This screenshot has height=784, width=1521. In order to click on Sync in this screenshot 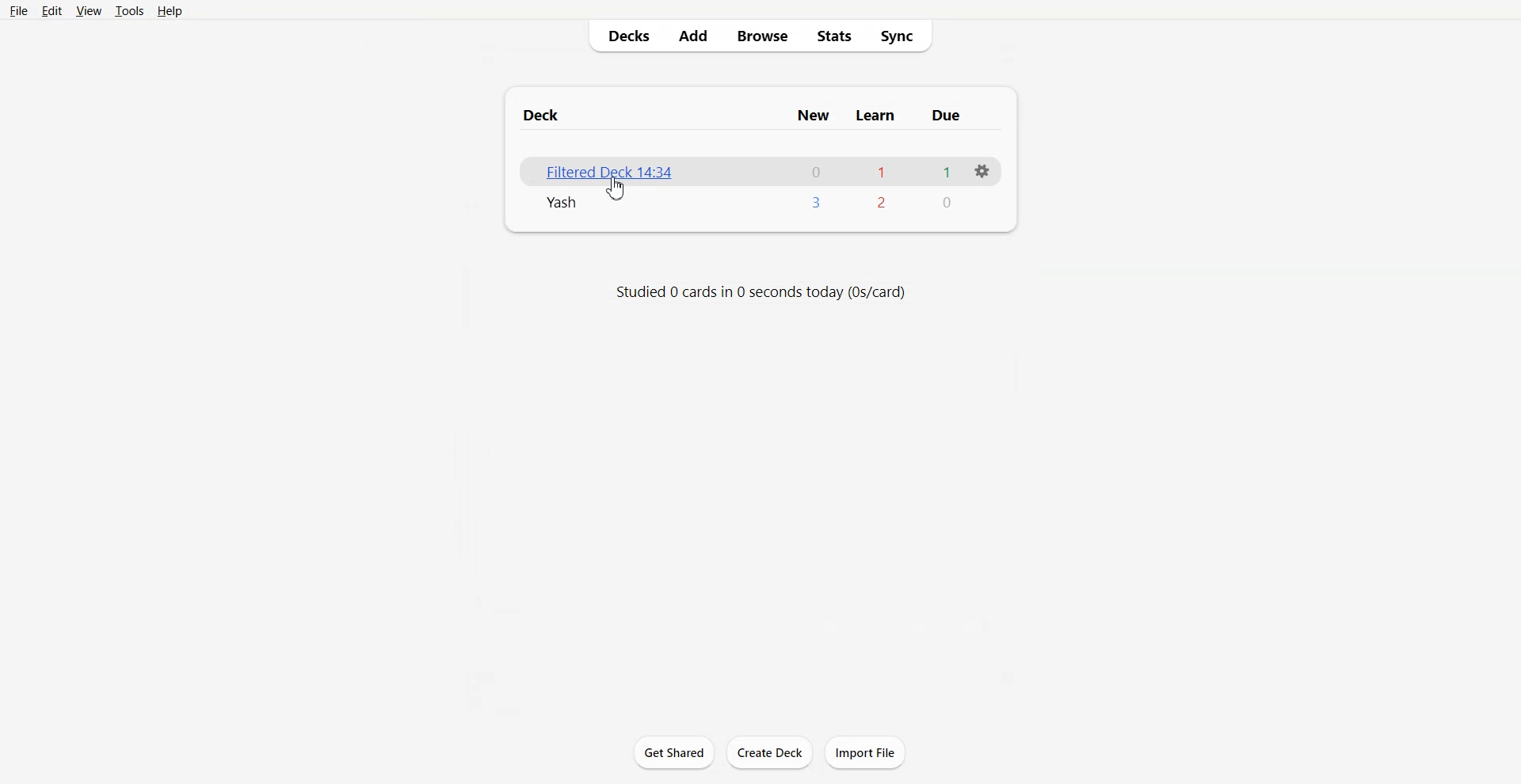, I will do `click(899, 36)`.